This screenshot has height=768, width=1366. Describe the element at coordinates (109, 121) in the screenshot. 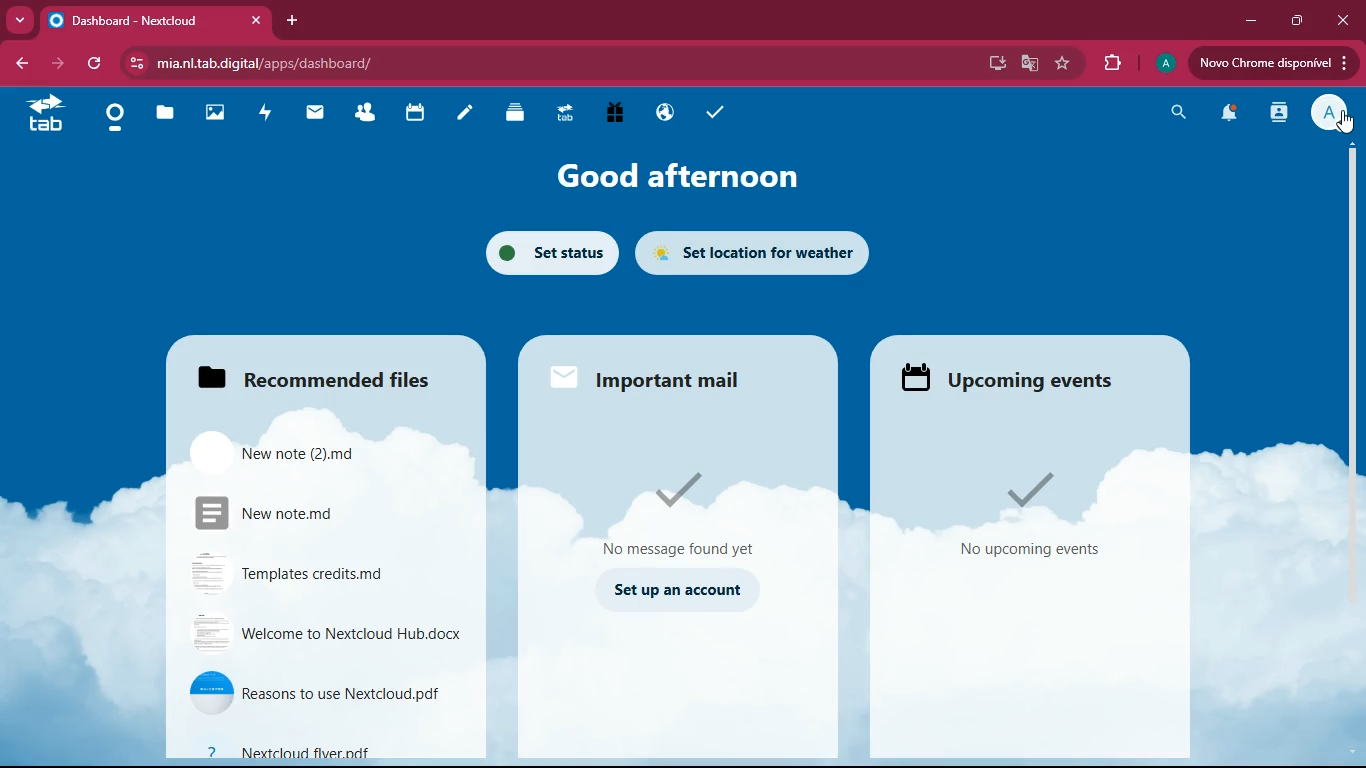

I see `home` at that location.